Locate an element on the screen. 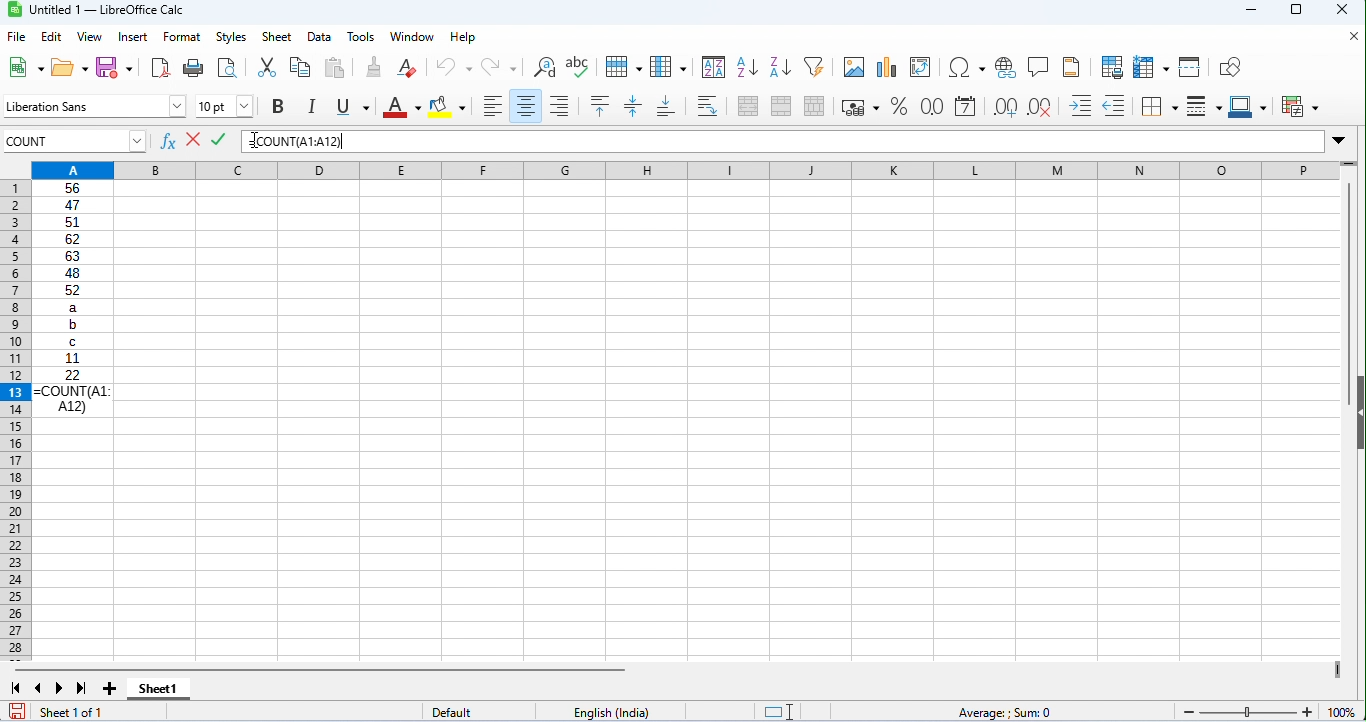 This screenshot has height=722, width=1366. undo is located at coordinates (456, 67).